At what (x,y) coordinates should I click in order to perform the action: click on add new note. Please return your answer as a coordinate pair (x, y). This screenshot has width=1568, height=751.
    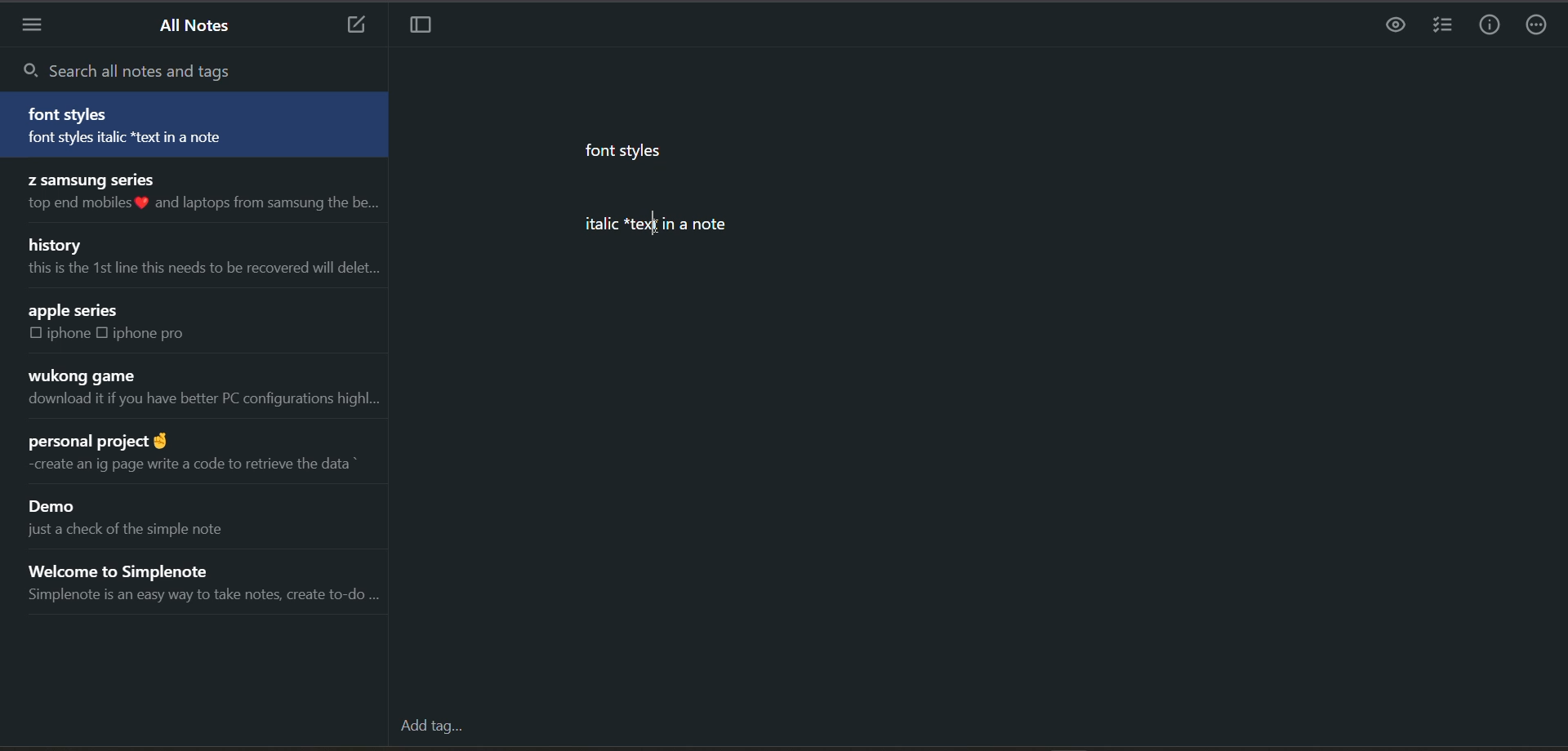
    Looking at the image, I should click on (354, 26).